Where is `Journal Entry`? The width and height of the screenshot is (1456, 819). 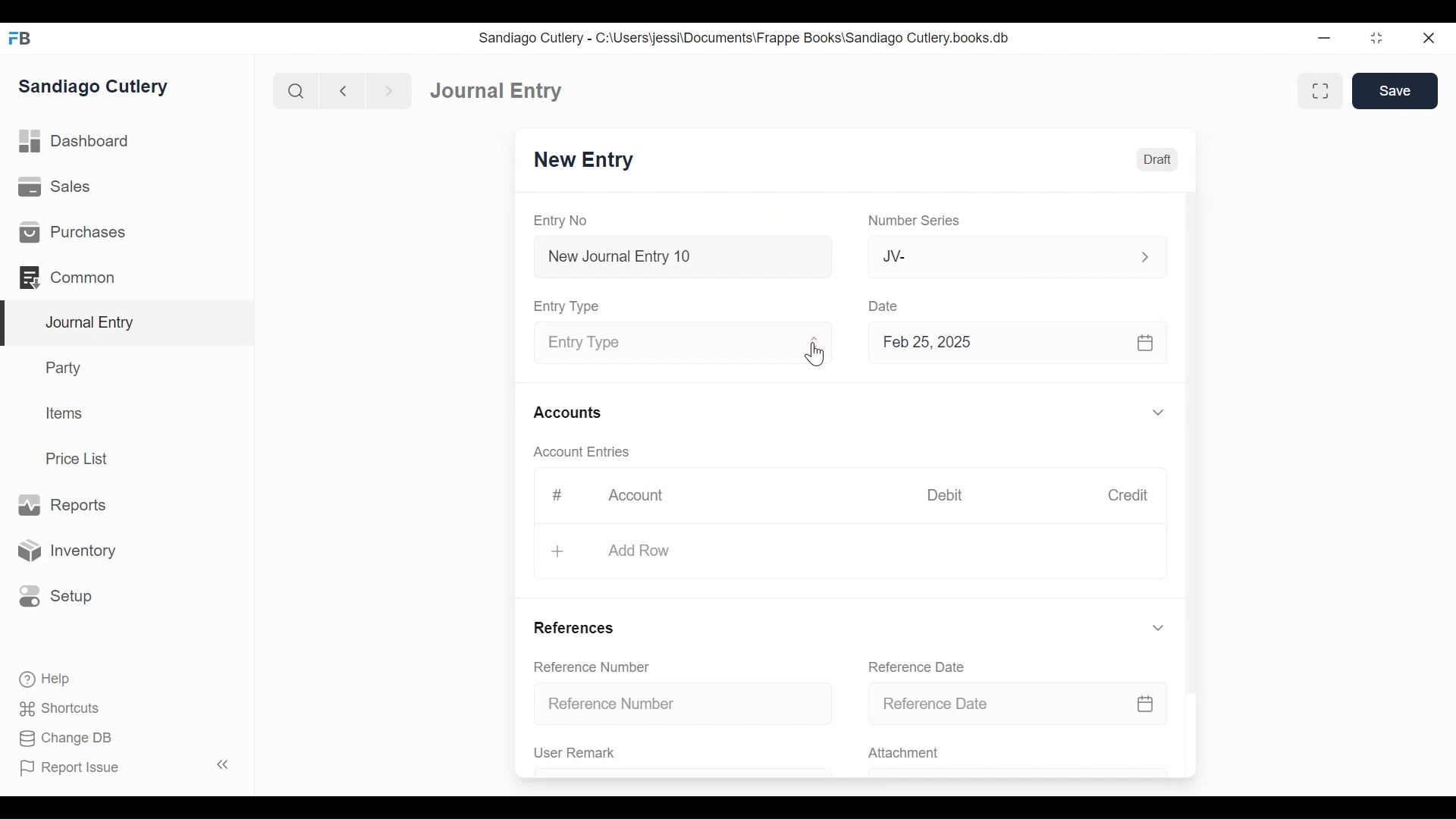 Journal Entry is located at coordinates (128, 323).